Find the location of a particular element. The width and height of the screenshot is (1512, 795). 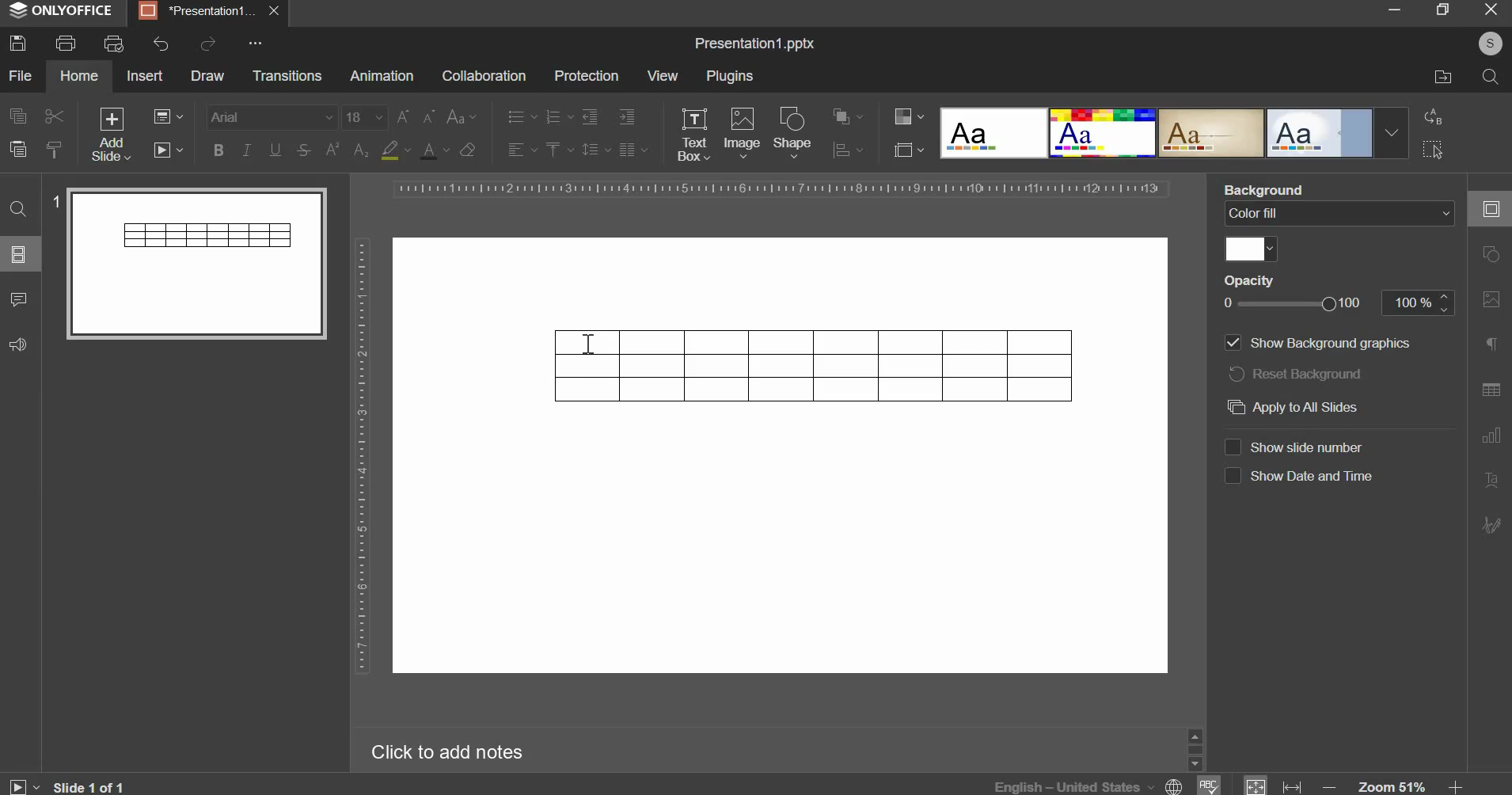

Sidebar is located at coordinates (1194, 747).